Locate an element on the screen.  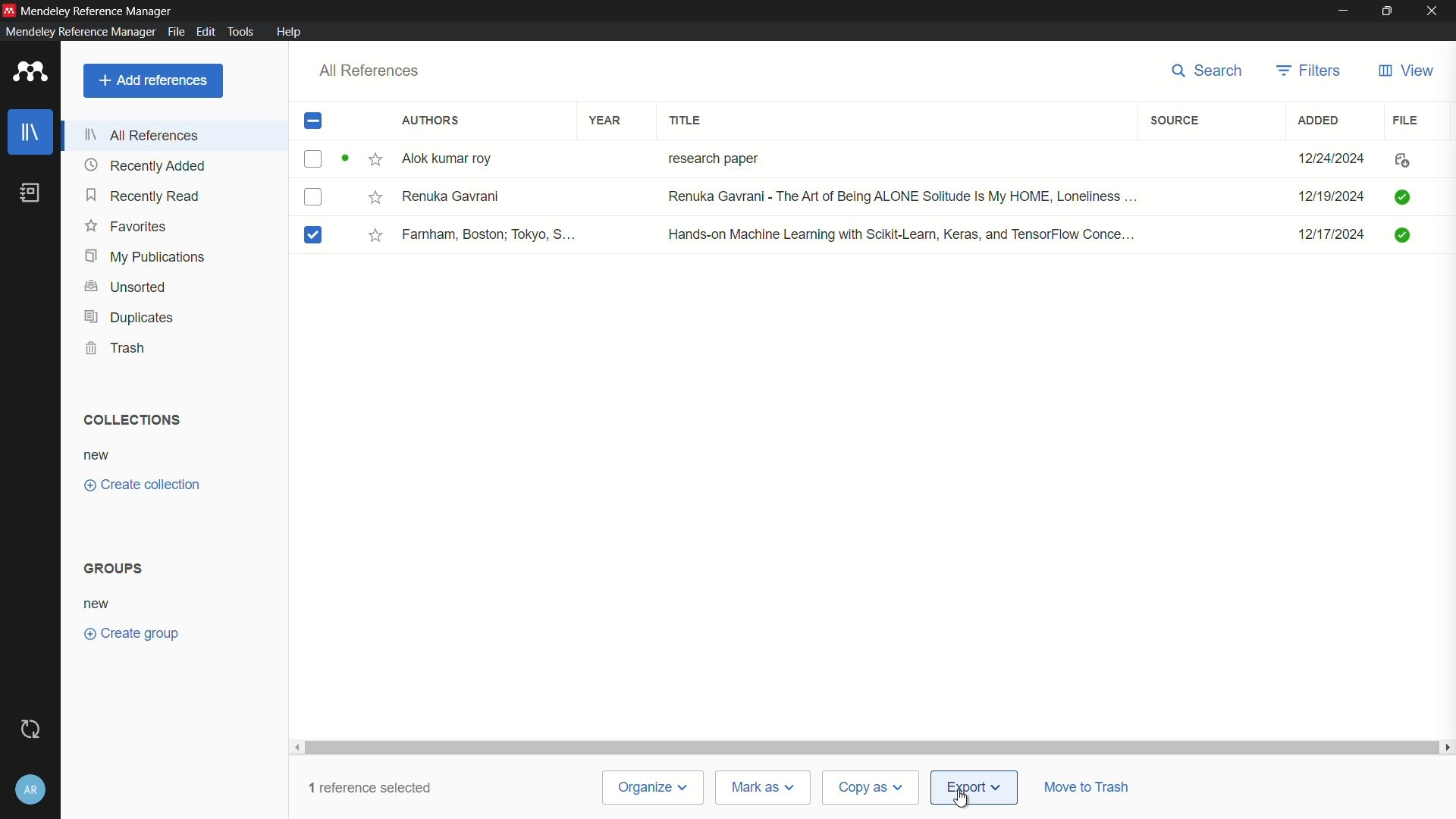
all references is located at coordinates (369, 71).